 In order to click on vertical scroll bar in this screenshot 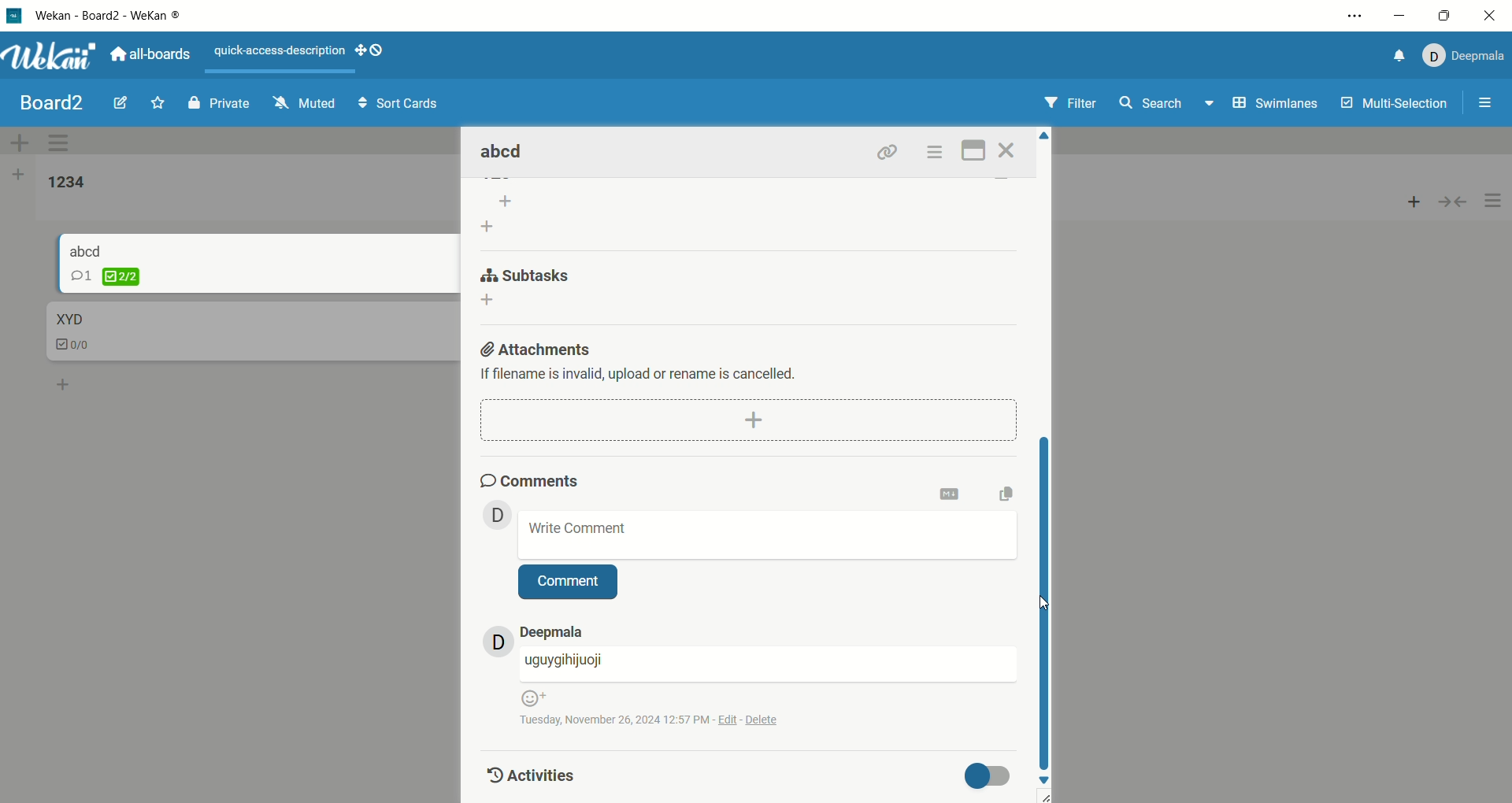, I will do `click(1046, 600)`.